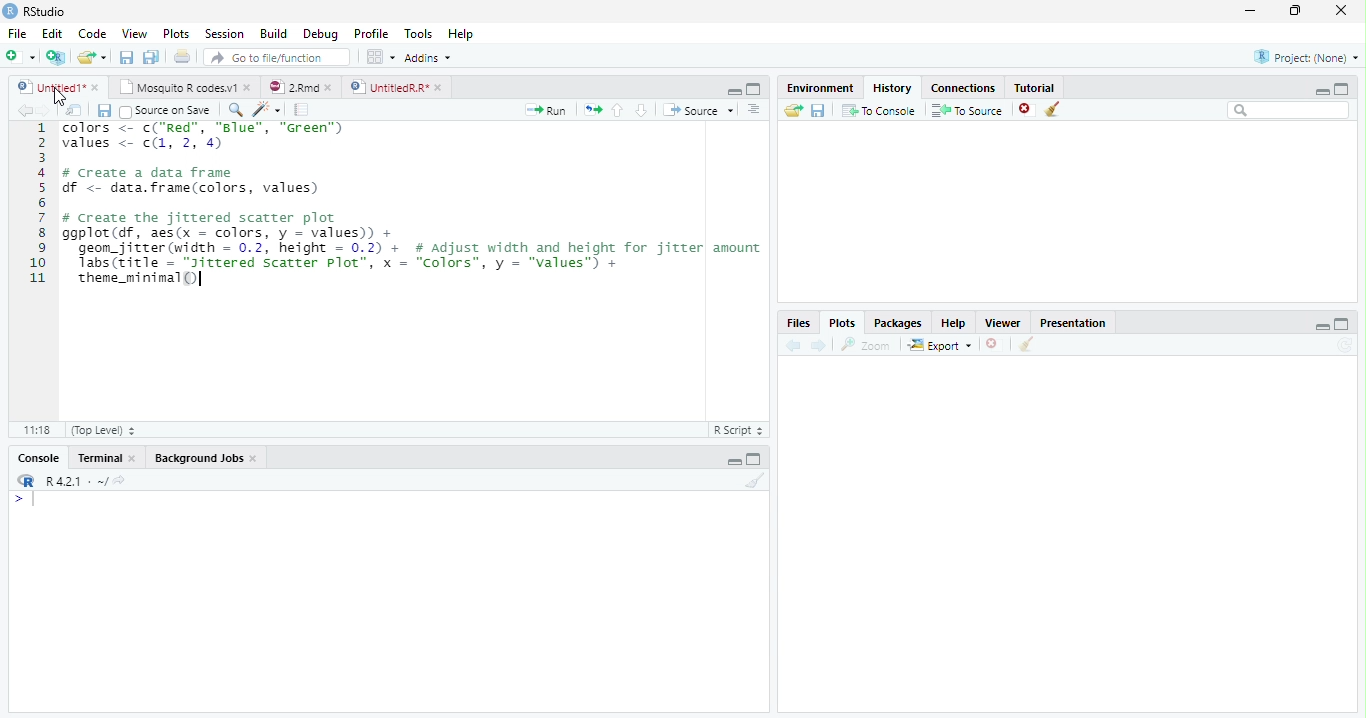 This screenshot has height=718, width=1366. What do you see at coordinates (733, 91) in the screenshot?
I see `Minimize` at bounding box center [733, 91].